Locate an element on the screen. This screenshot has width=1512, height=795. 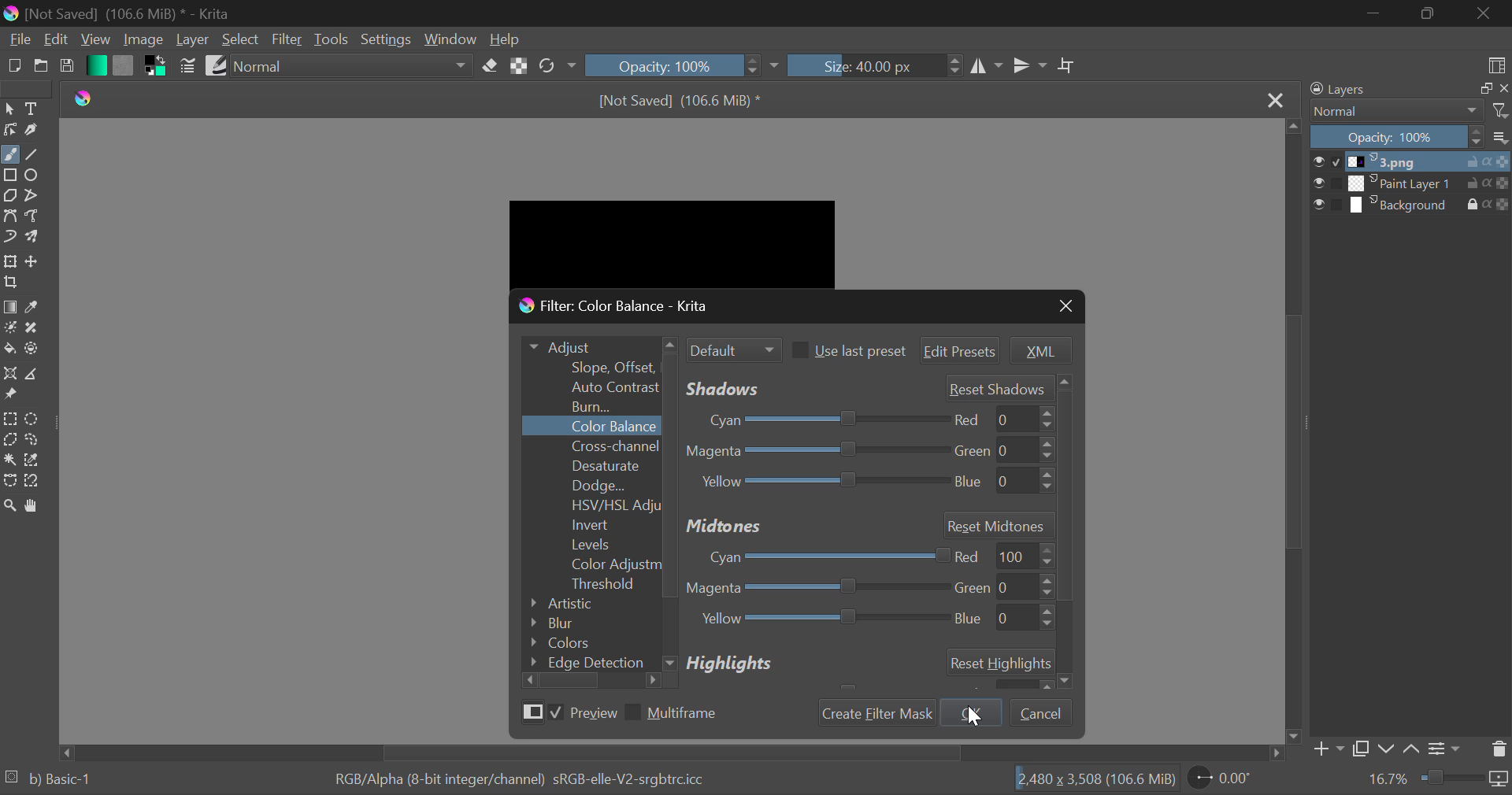
red is located at coordinates (1003, 556).